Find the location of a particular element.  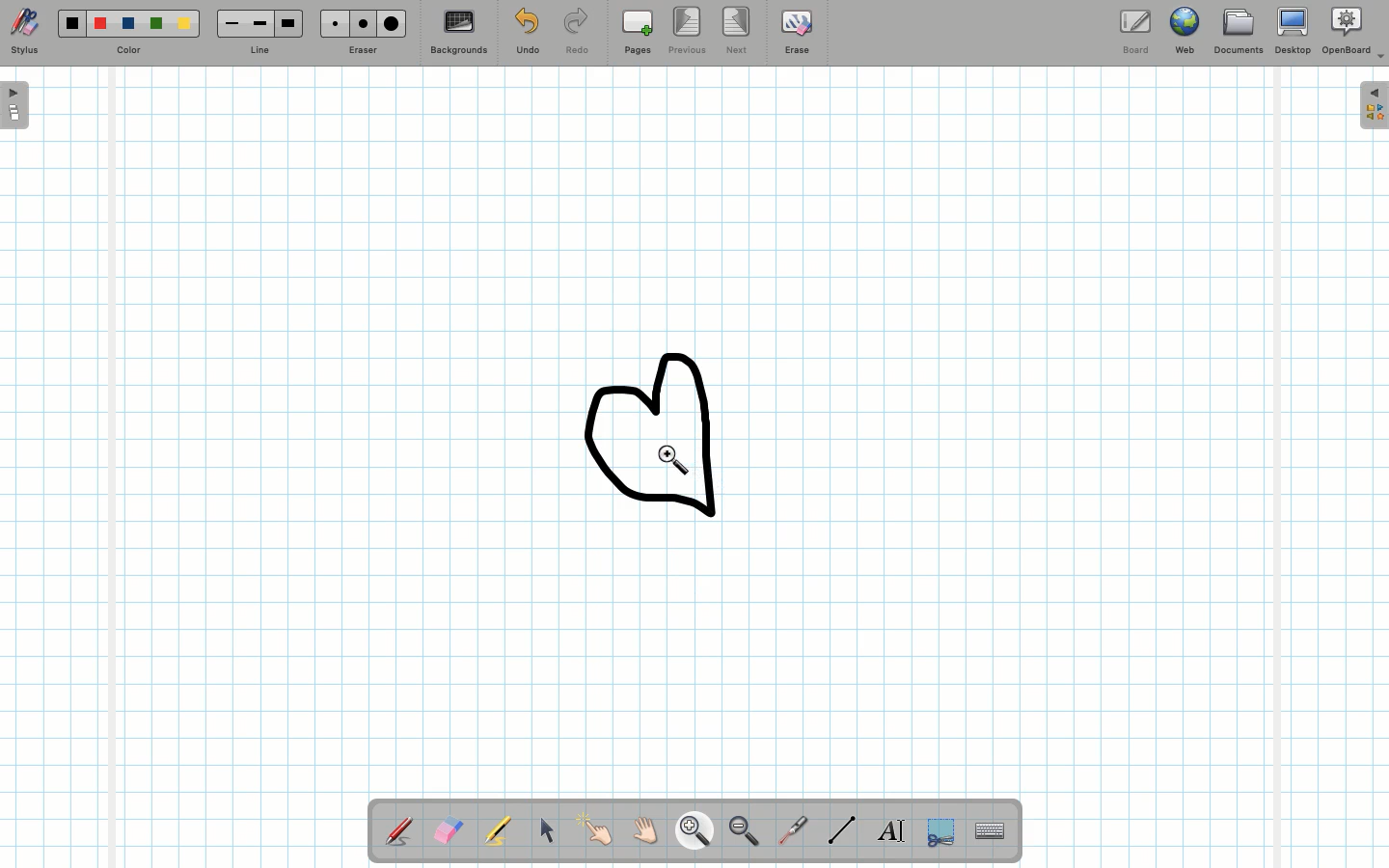

Open board is located at coordinates (15, 107).